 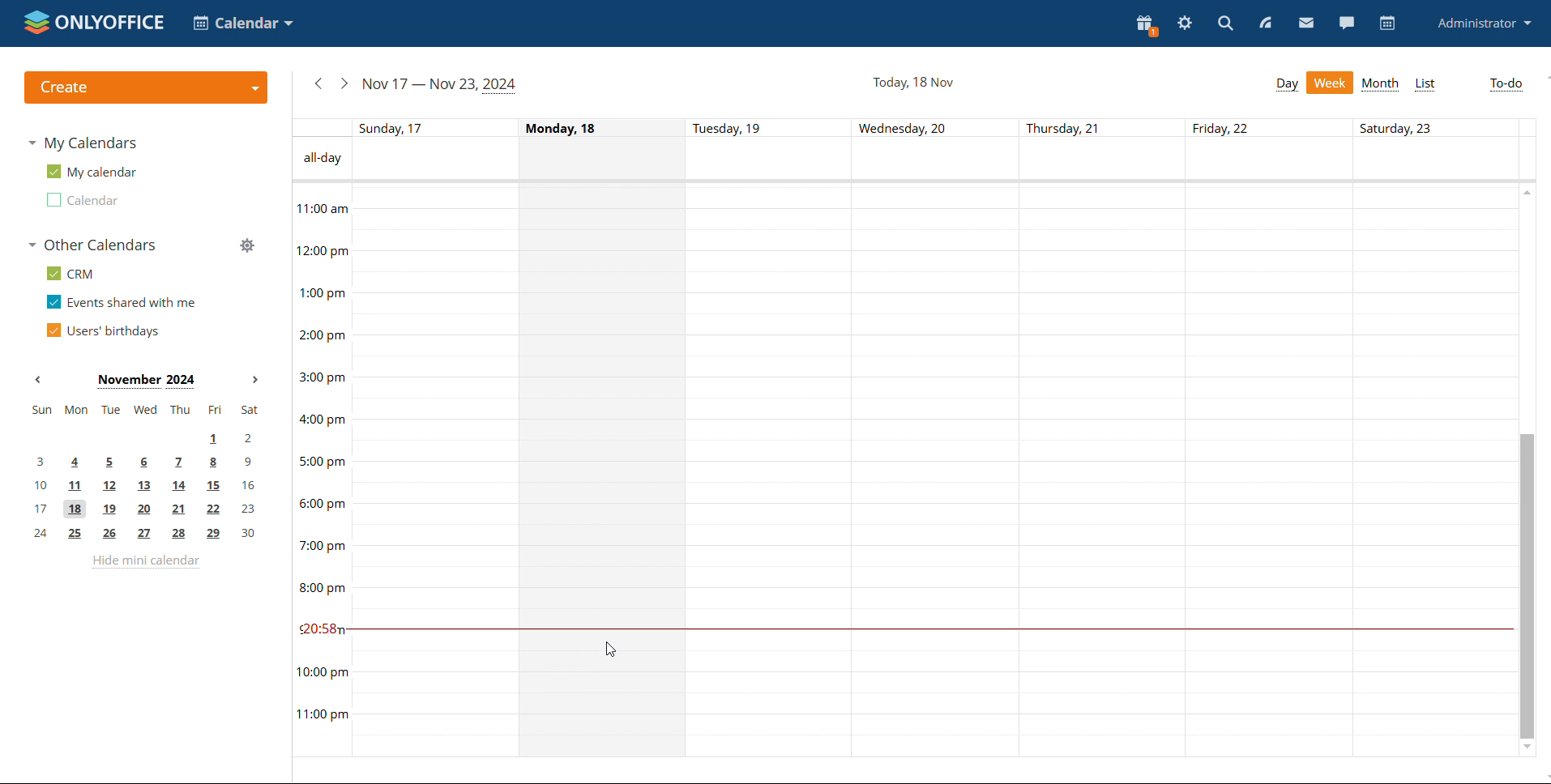 I want to click on users' birthdays, so click(x=104, y=330).